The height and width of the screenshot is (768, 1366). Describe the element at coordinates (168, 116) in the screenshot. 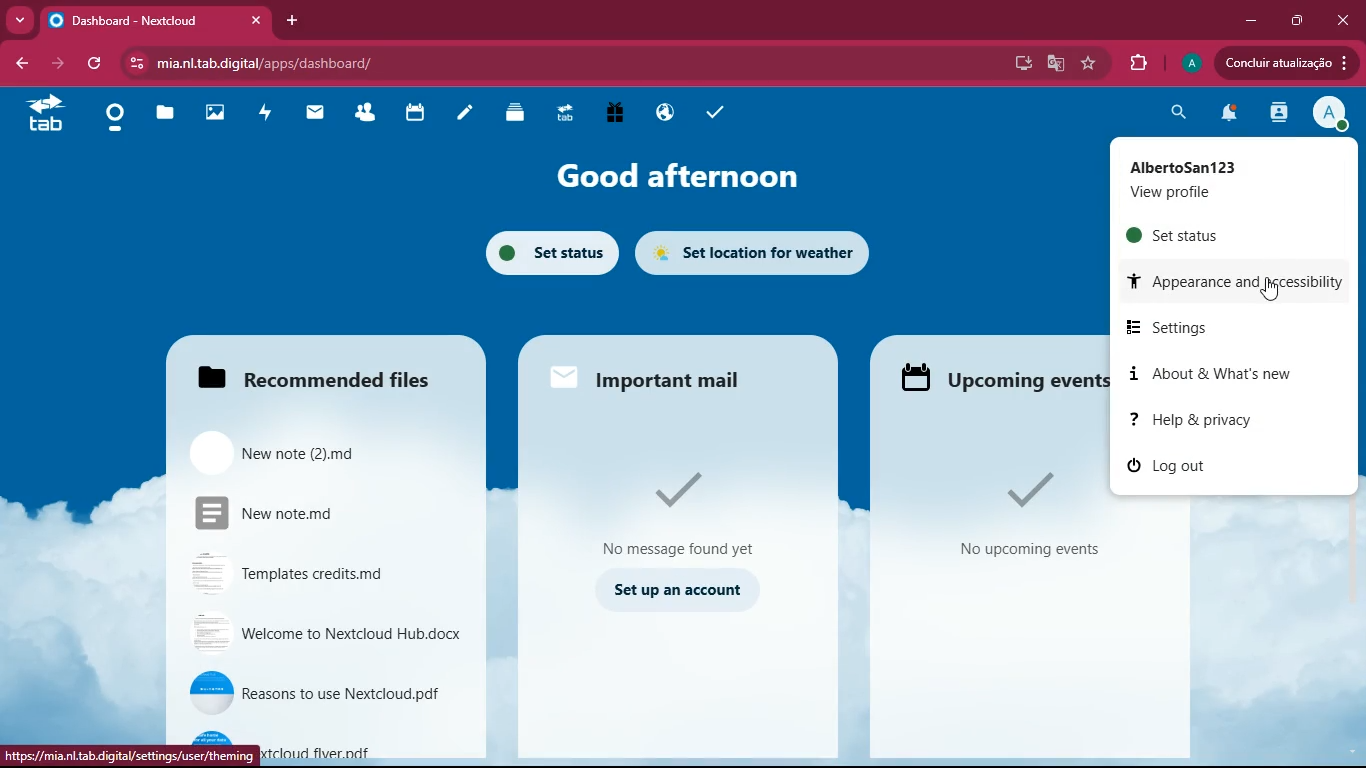

I see `files` at that location.